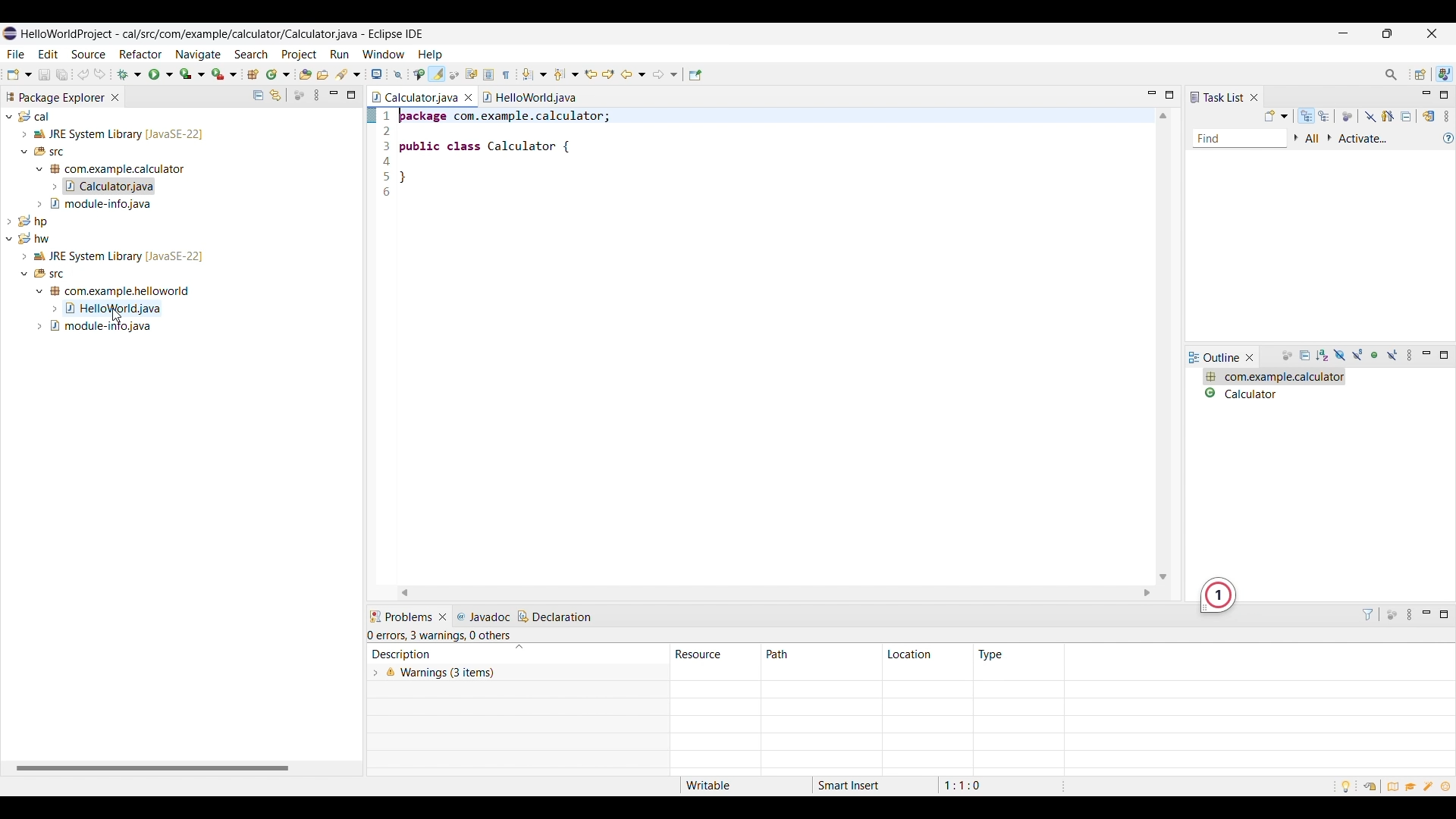 The image size is (1456, 819). Describe the element at coordinates (1163, 577) in the screenshot. I see `Quick slide to bottom` at that location.